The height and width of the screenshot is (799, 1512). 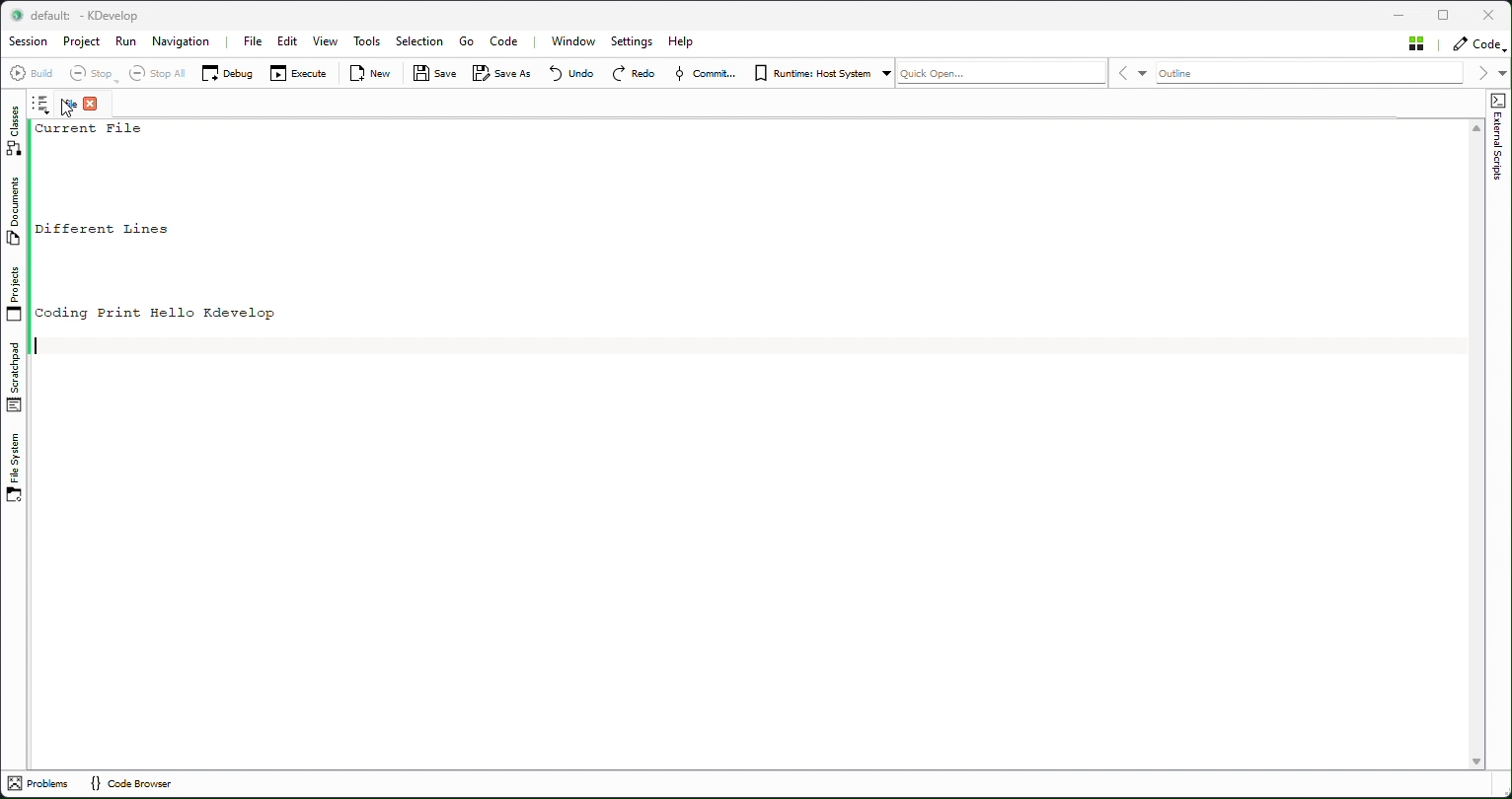 I want to click on Code, so click(x=1478, y=43).